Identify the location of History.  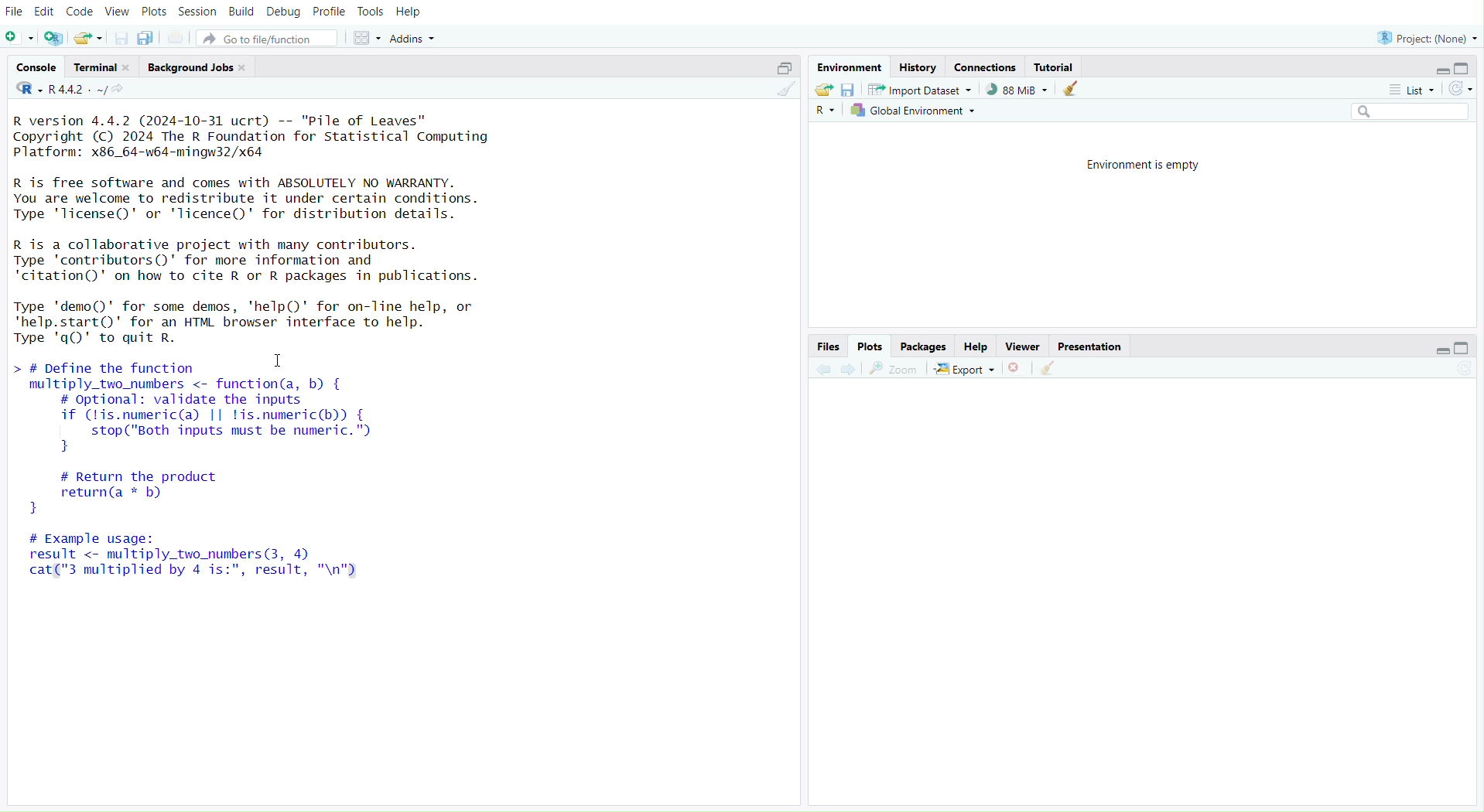
(918, 66).